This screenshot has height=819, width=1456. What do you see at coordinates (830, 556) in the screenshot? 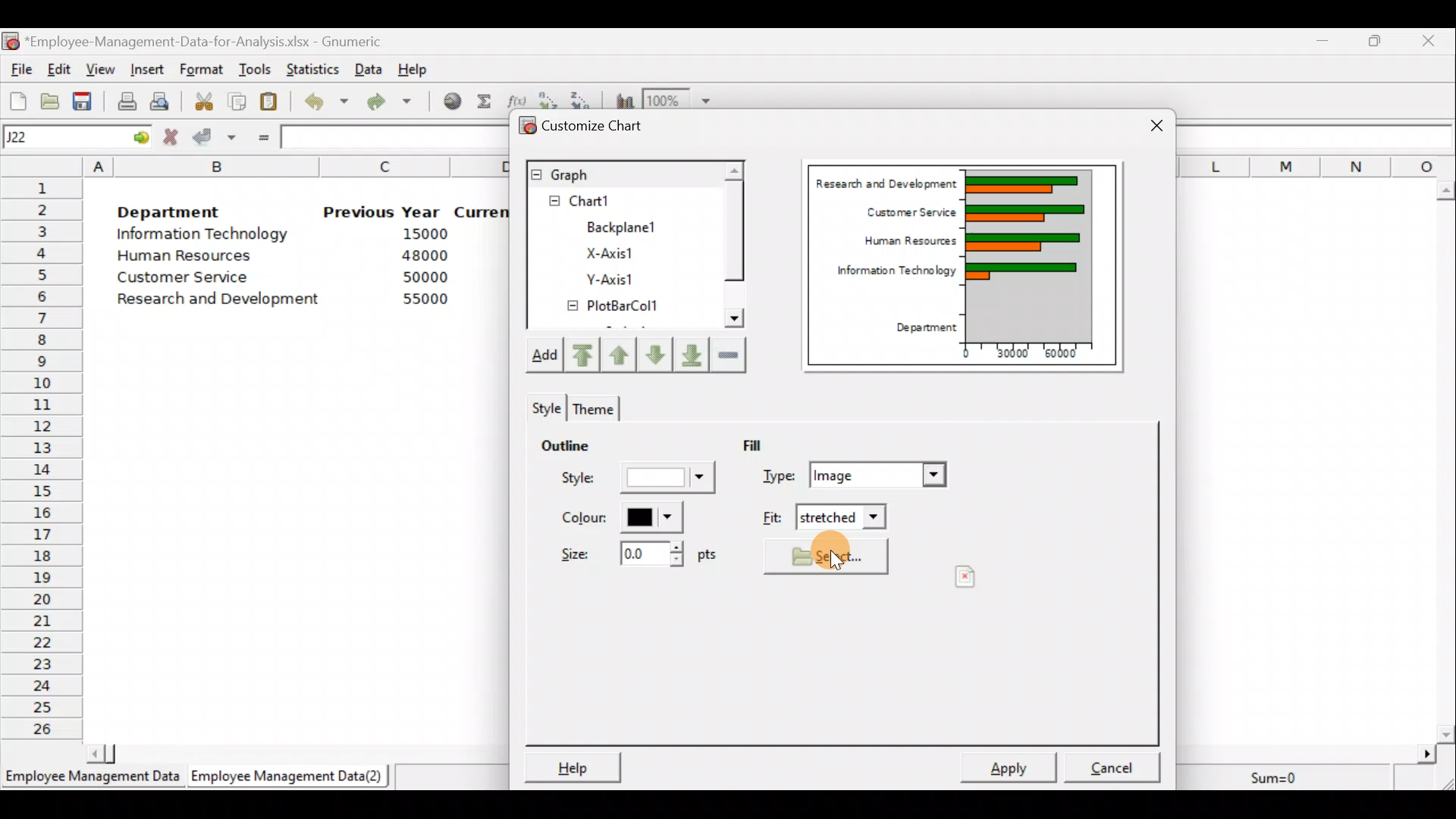
I see `Select` at bounding box center [830, 556].